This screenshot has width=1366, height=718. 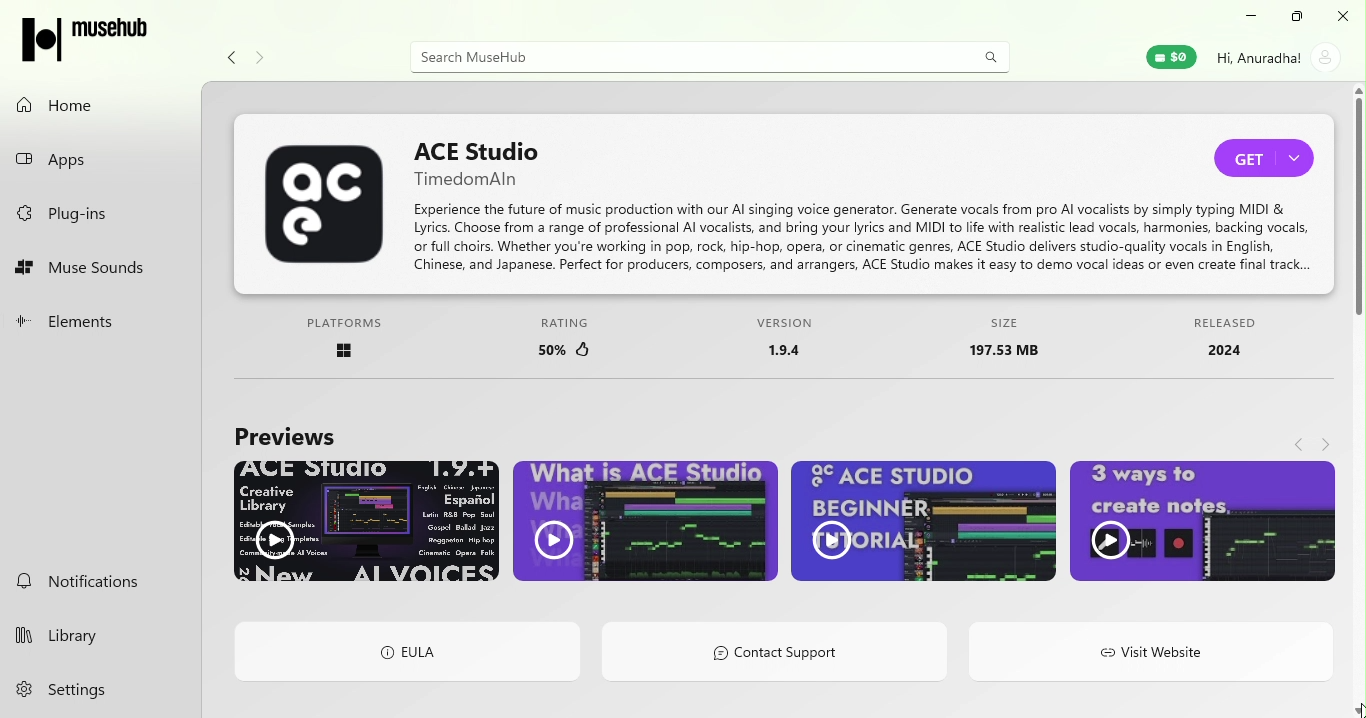 What do you see at coordinates (1196, 524) in the screenshot?
I see `Video preview` at bounding box center [1196, 524].